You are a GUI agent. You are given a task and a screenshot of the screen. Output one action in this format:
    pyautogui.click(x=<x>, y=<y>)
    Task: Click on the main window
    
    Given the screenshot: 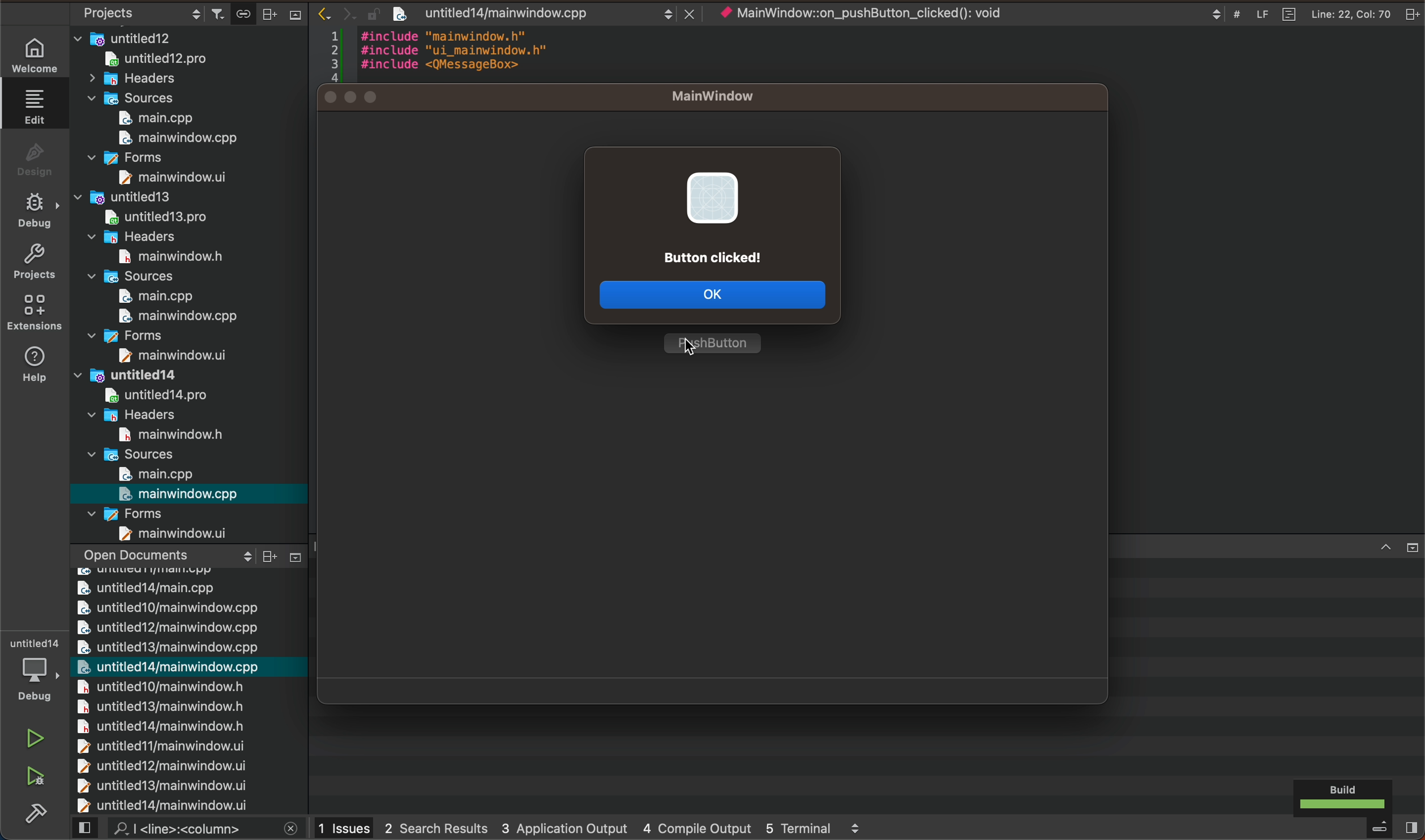 What is the action you would take?
    pyautogui.click(x=165, y=177)
    